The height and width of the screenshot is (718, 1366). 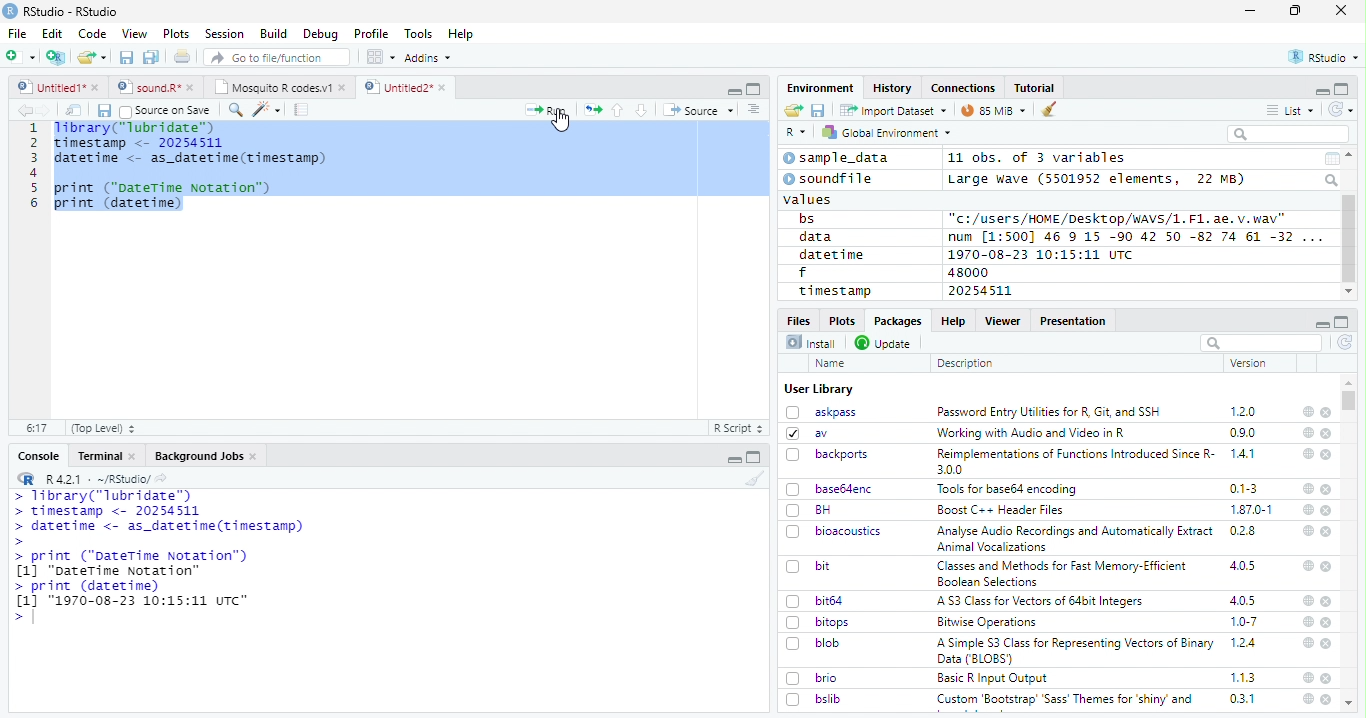 I want to click on Refresh, so click(x=1341, y=110).